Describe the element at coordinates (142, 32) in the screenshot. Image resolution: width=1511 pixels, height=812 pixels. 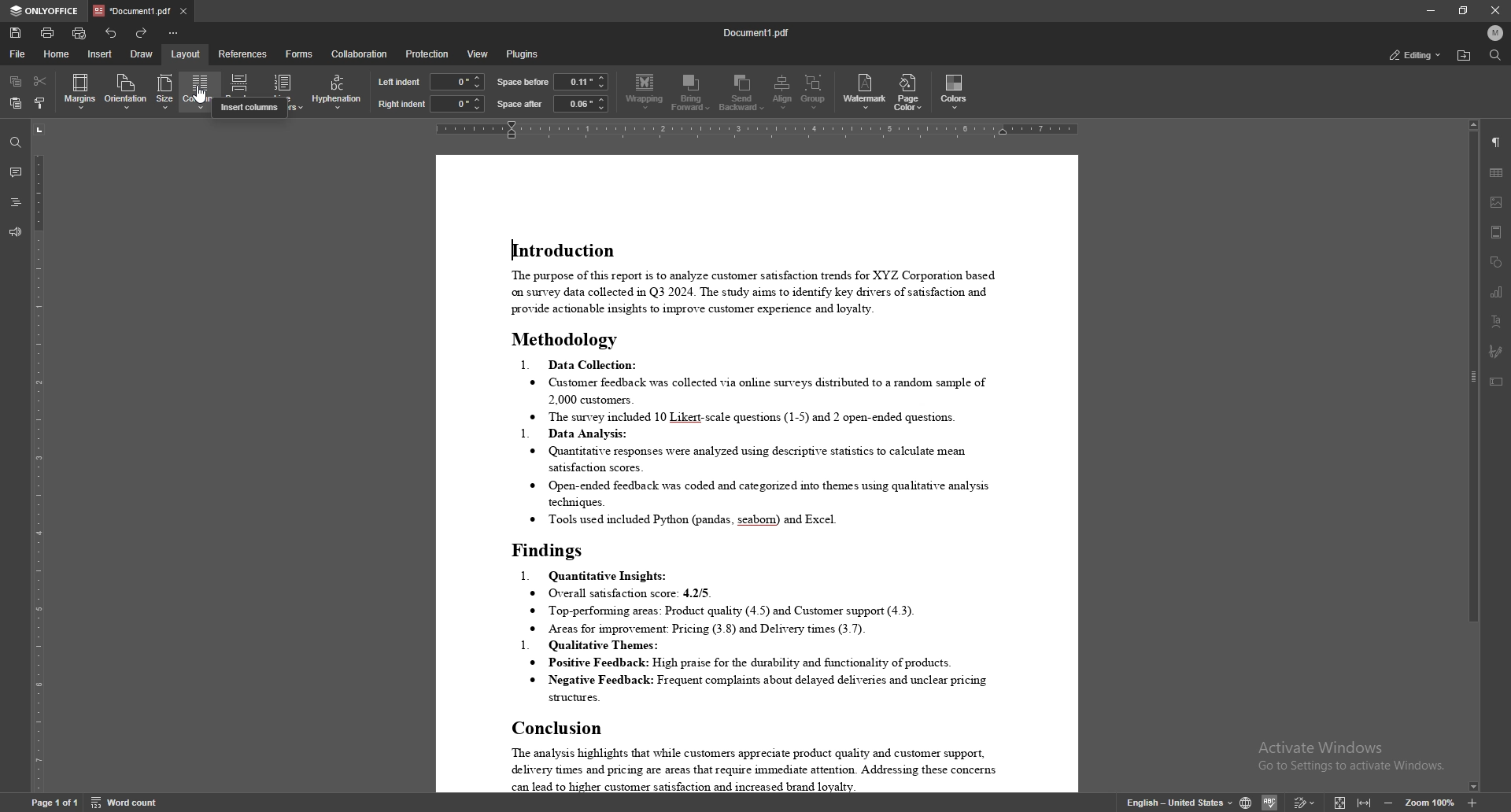
I see `redo` at that location.